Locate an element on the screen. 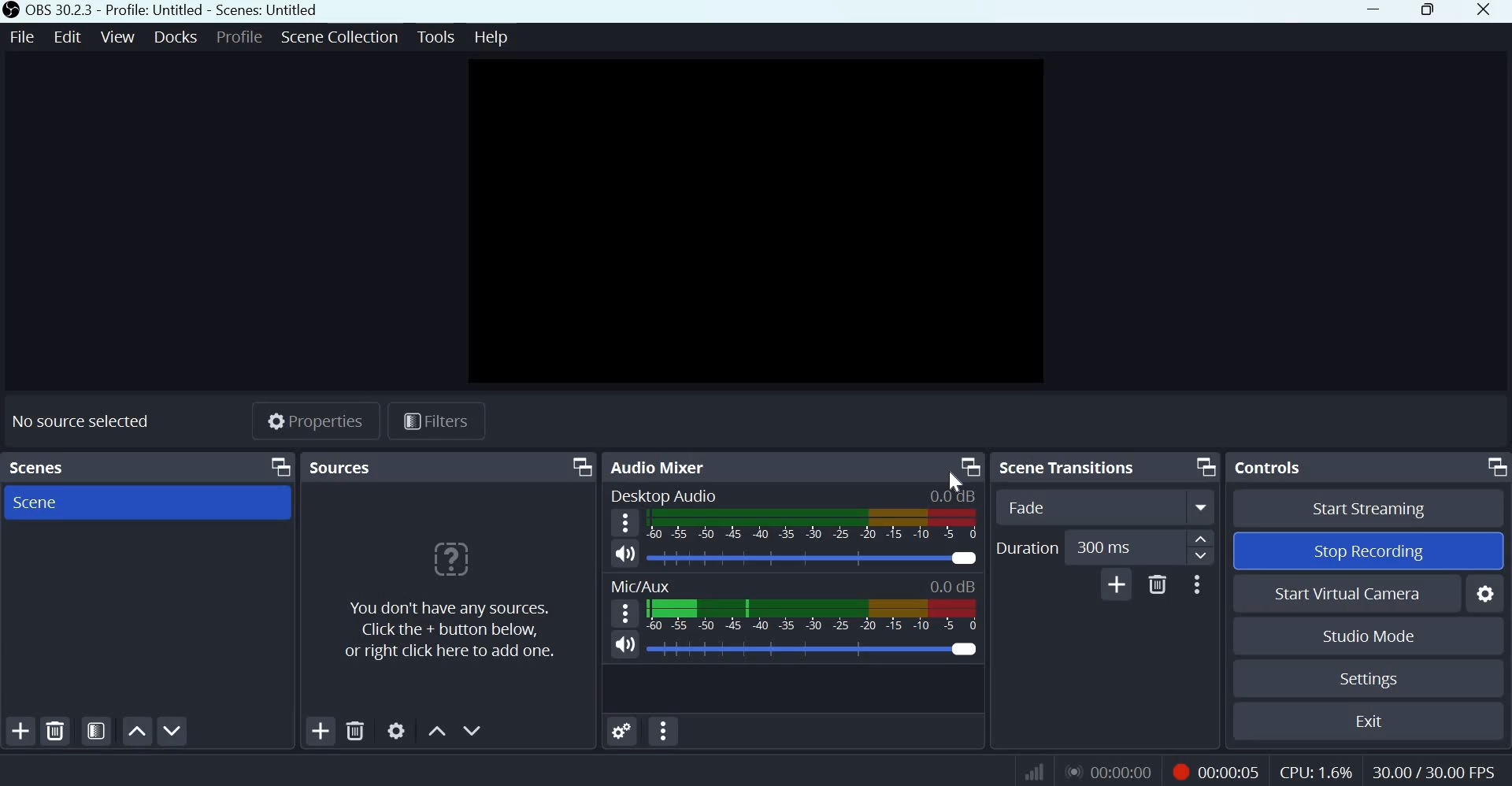 This screenshot has height=786, width=1512. Restore is located at coordinates (1427, 12).